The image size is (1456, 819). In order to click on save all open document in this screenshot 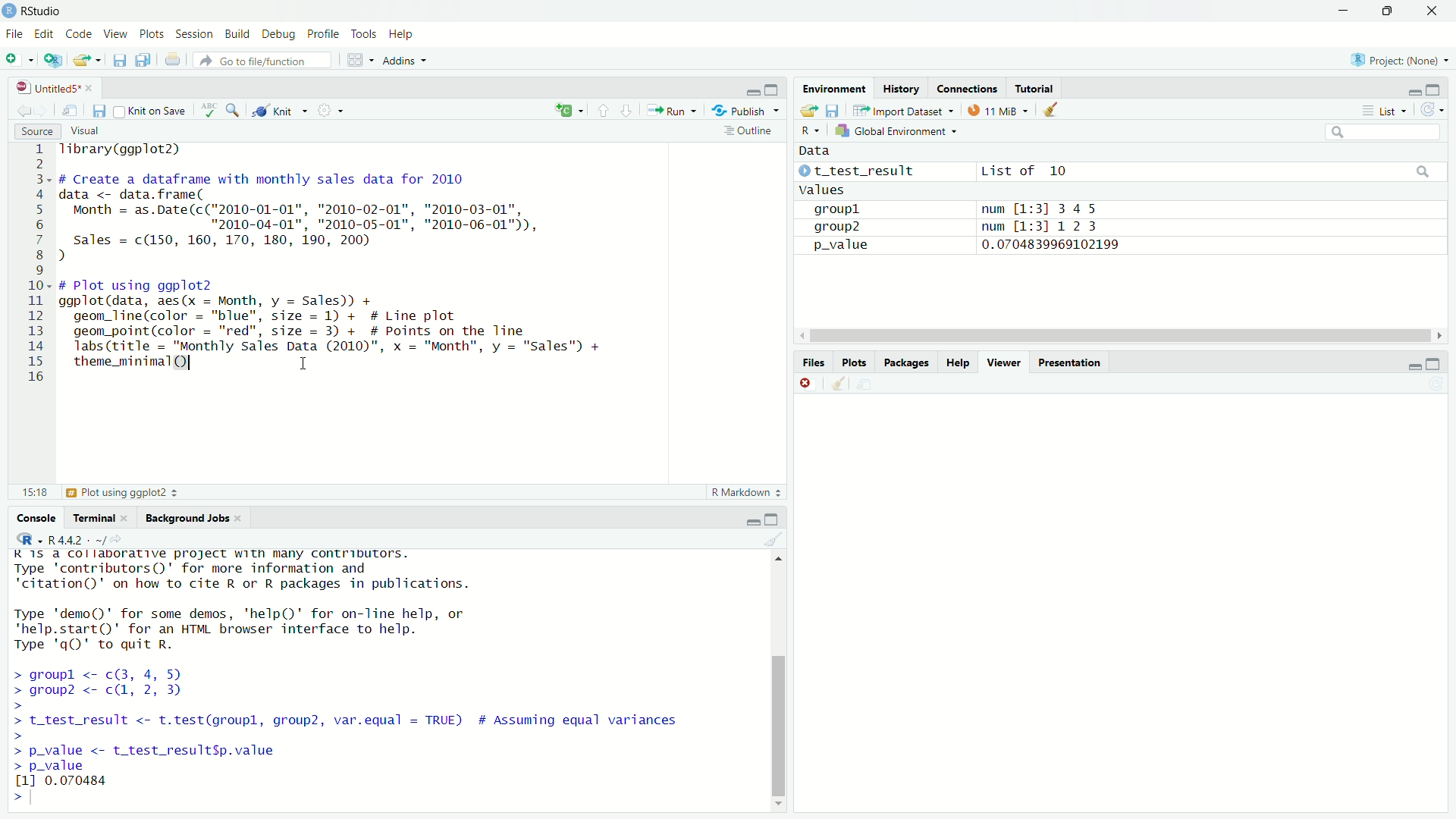, I will do `click(143, 60)`.